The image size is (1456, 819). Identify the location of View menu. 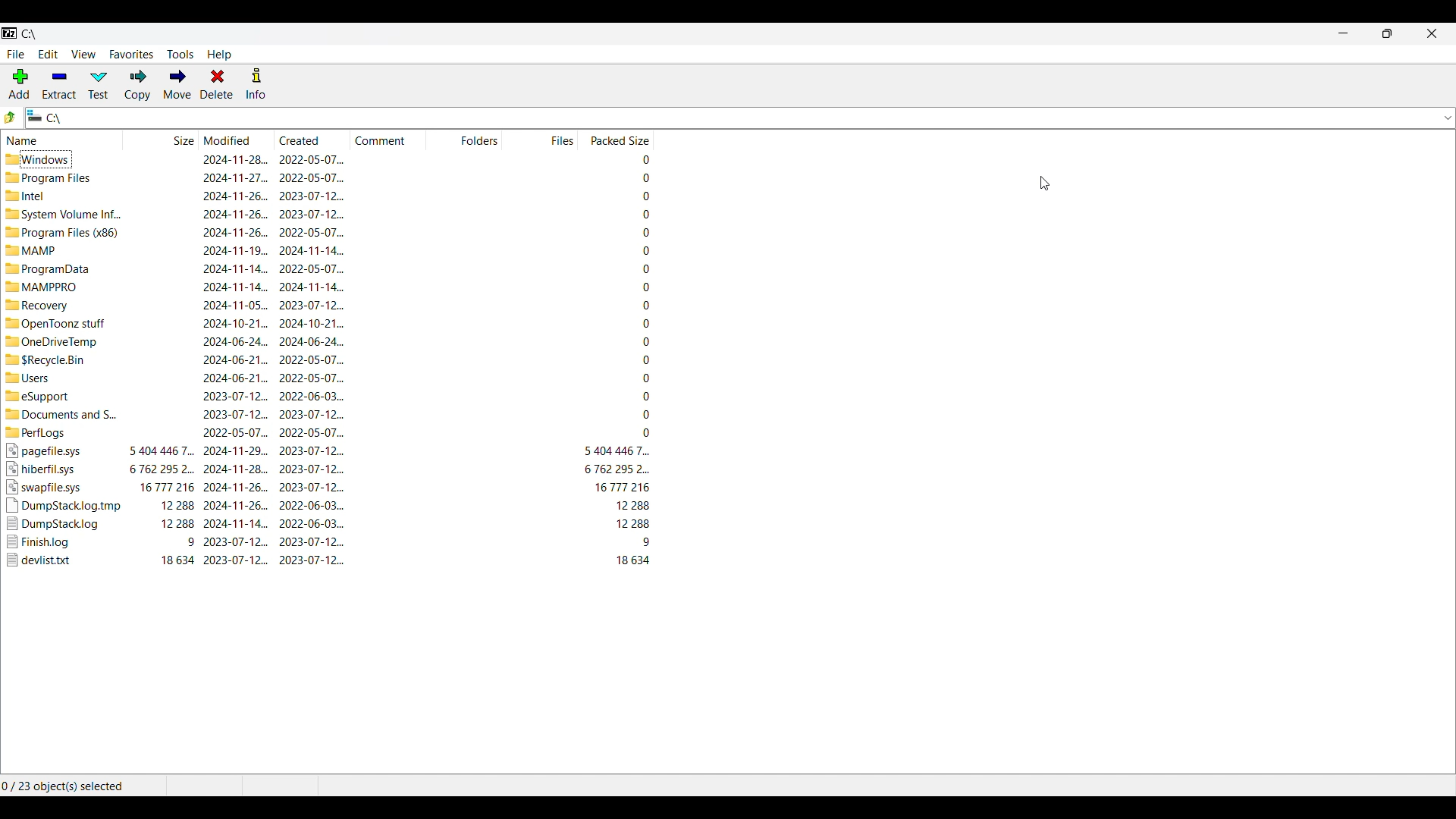
(83, 54).